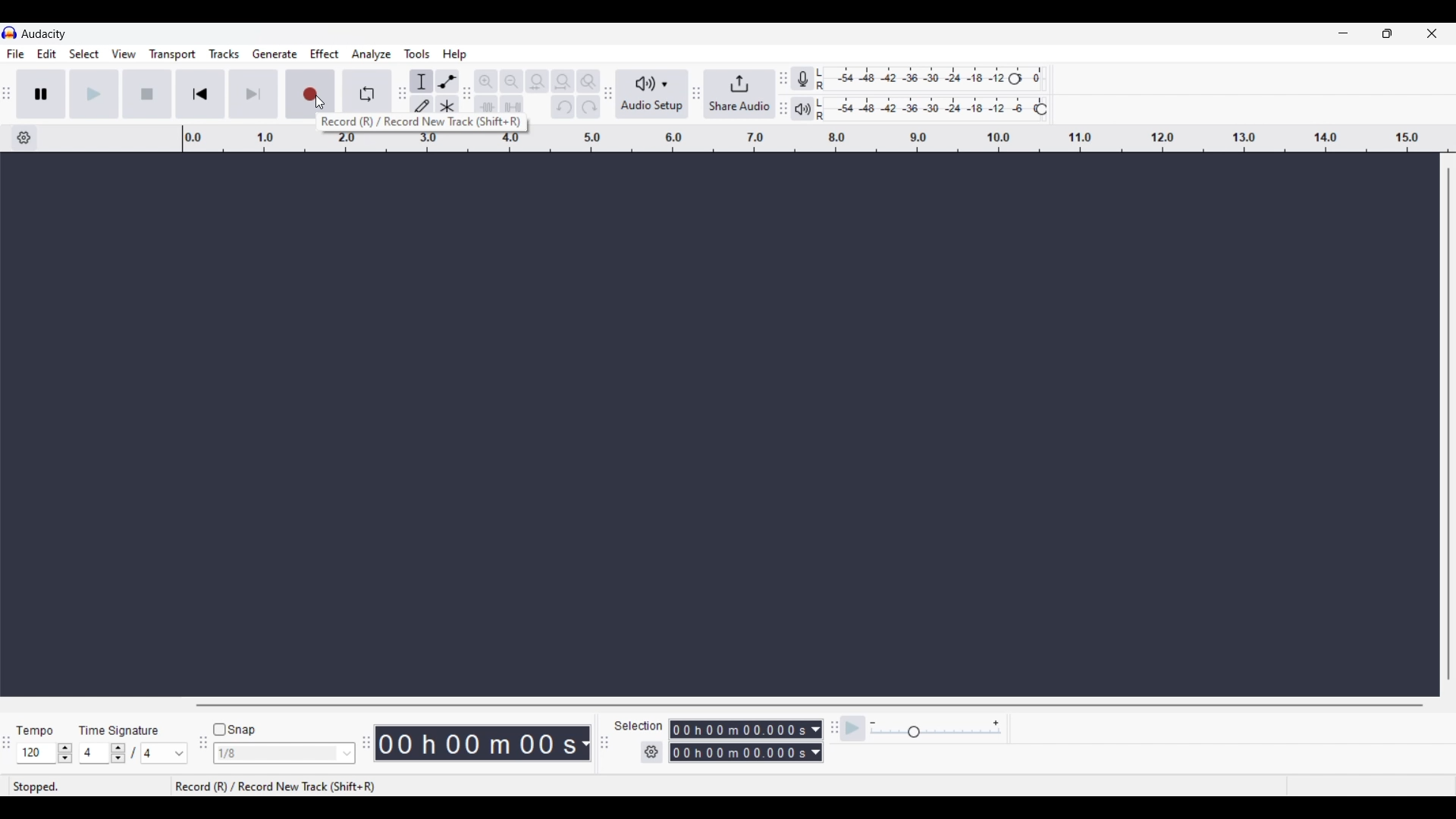 Image resolution: width=1456 pixels, height=819 pixels. Describe the element at coordinates (1031, 77) in the screenshot. I see `Header to change recording level` at that location.